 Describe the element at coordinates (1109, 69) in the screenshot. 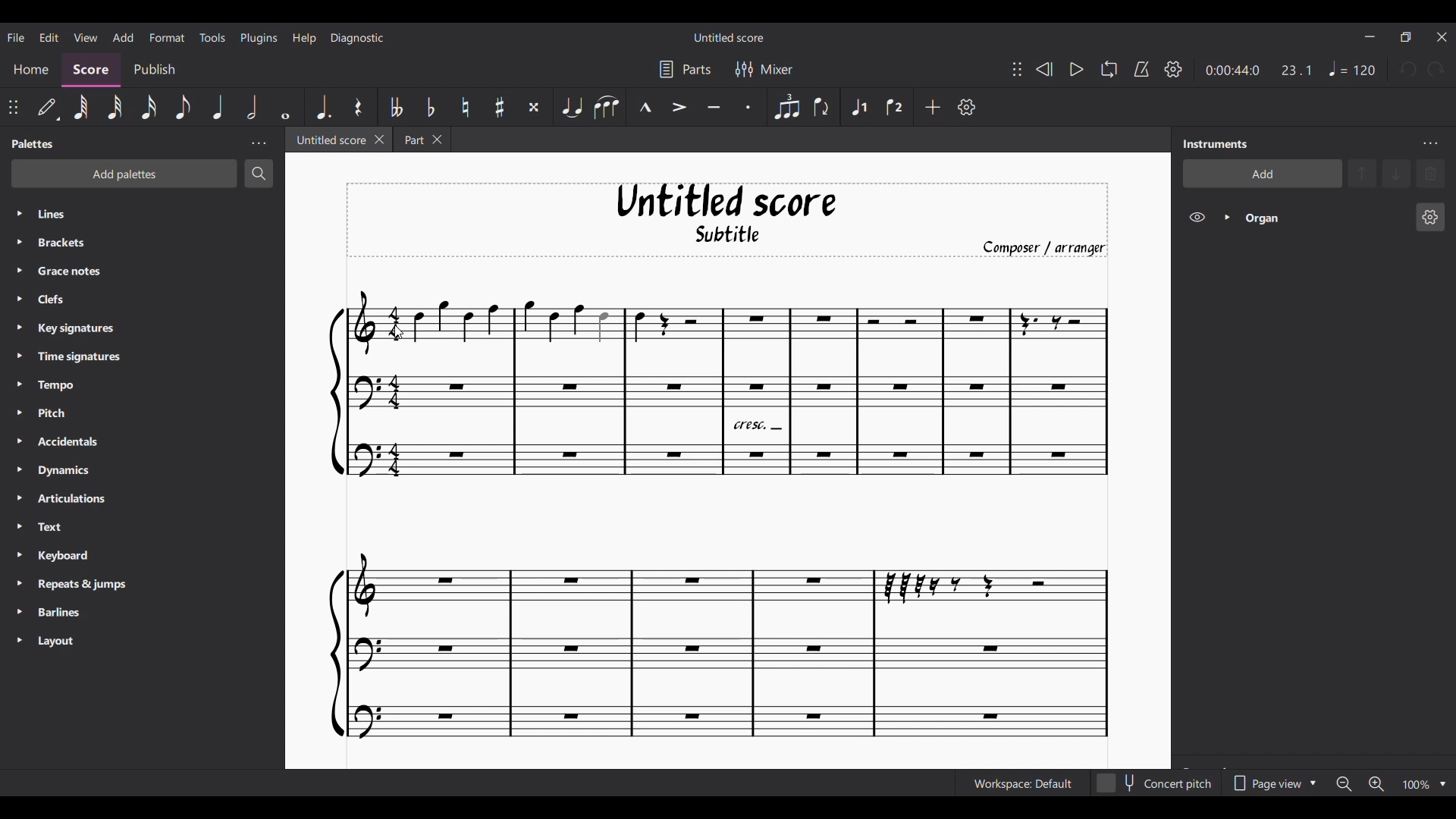

I see `Looping playback` at that location.